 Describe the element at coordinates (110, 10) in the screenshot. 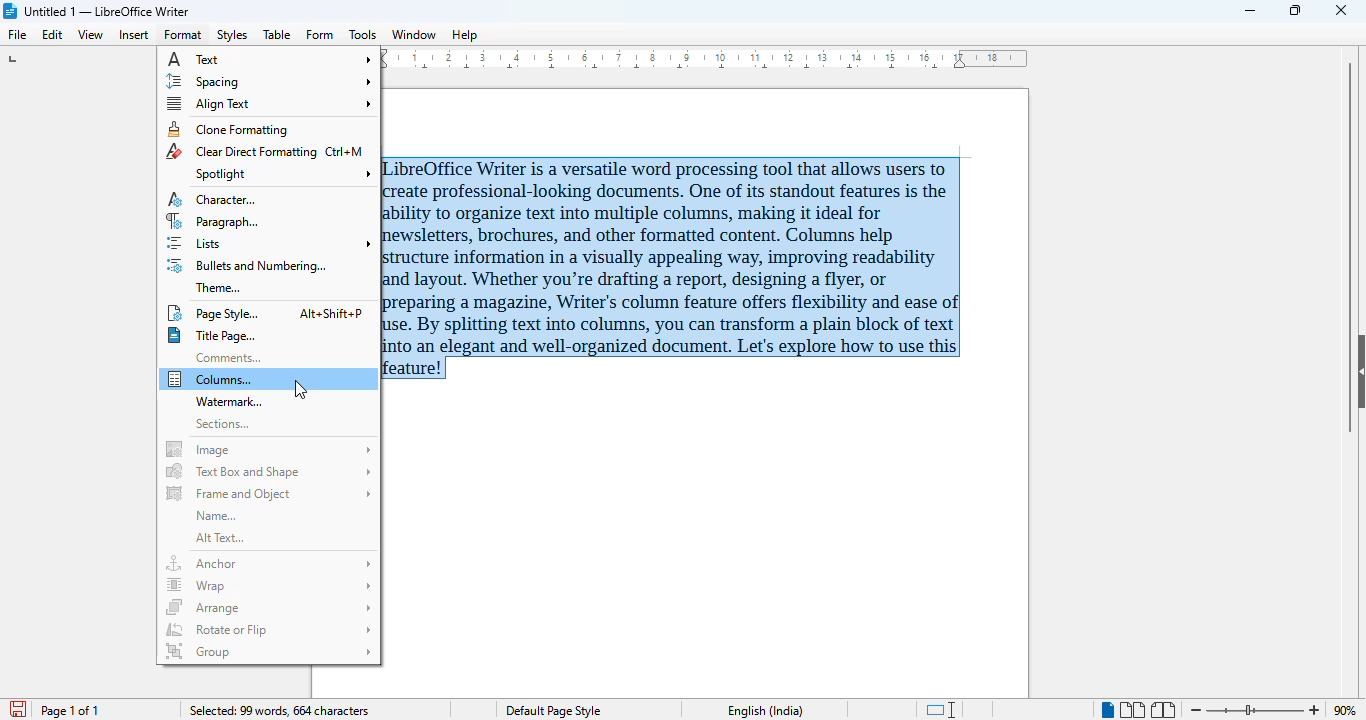

I see `Untitled 1 -- LibreOffice Writer` at that location.